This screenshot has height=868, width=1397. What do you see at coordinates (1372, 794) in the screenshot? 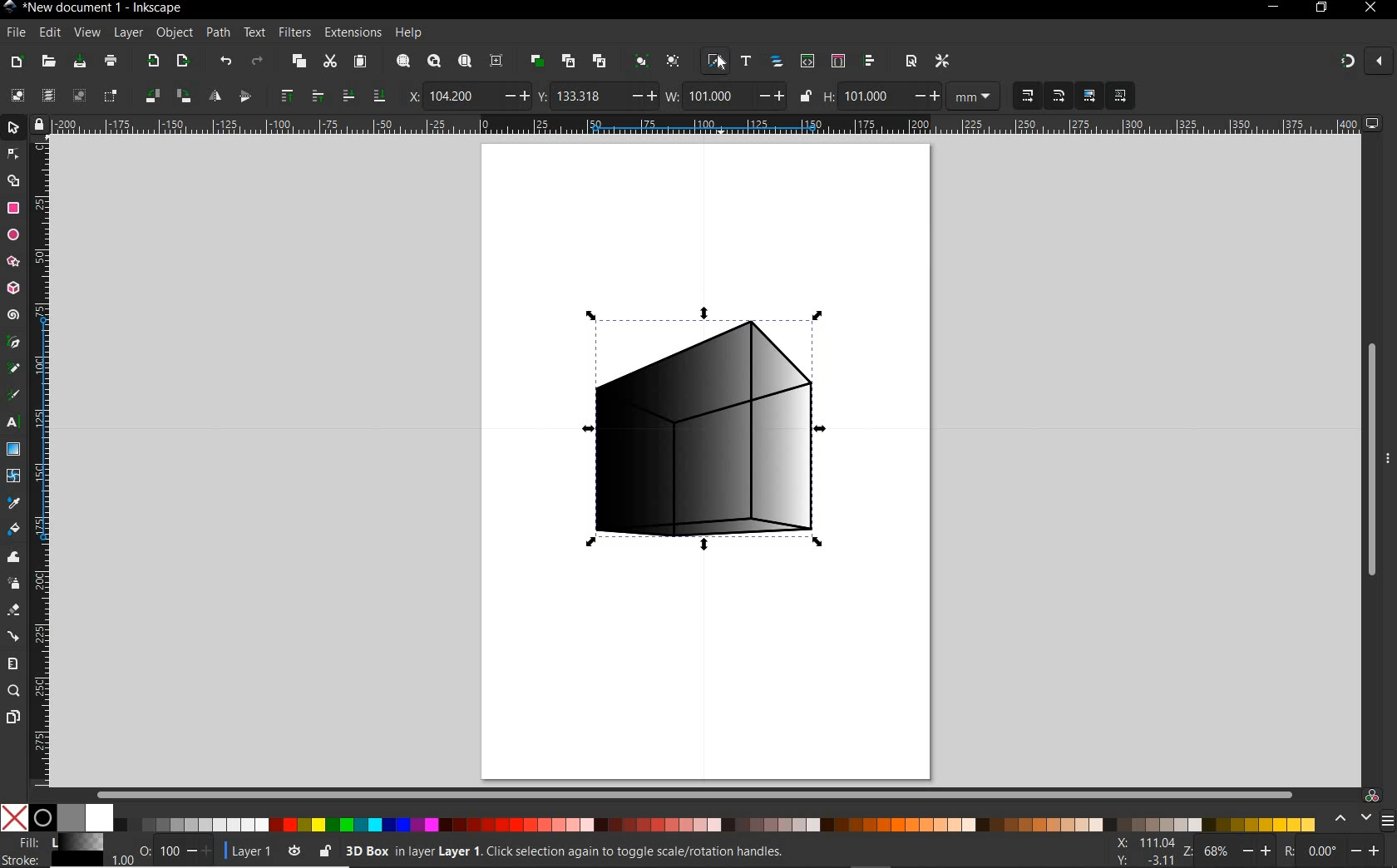
I see `COLOR MANAGED CODE` at bounding box center [1372, 794].